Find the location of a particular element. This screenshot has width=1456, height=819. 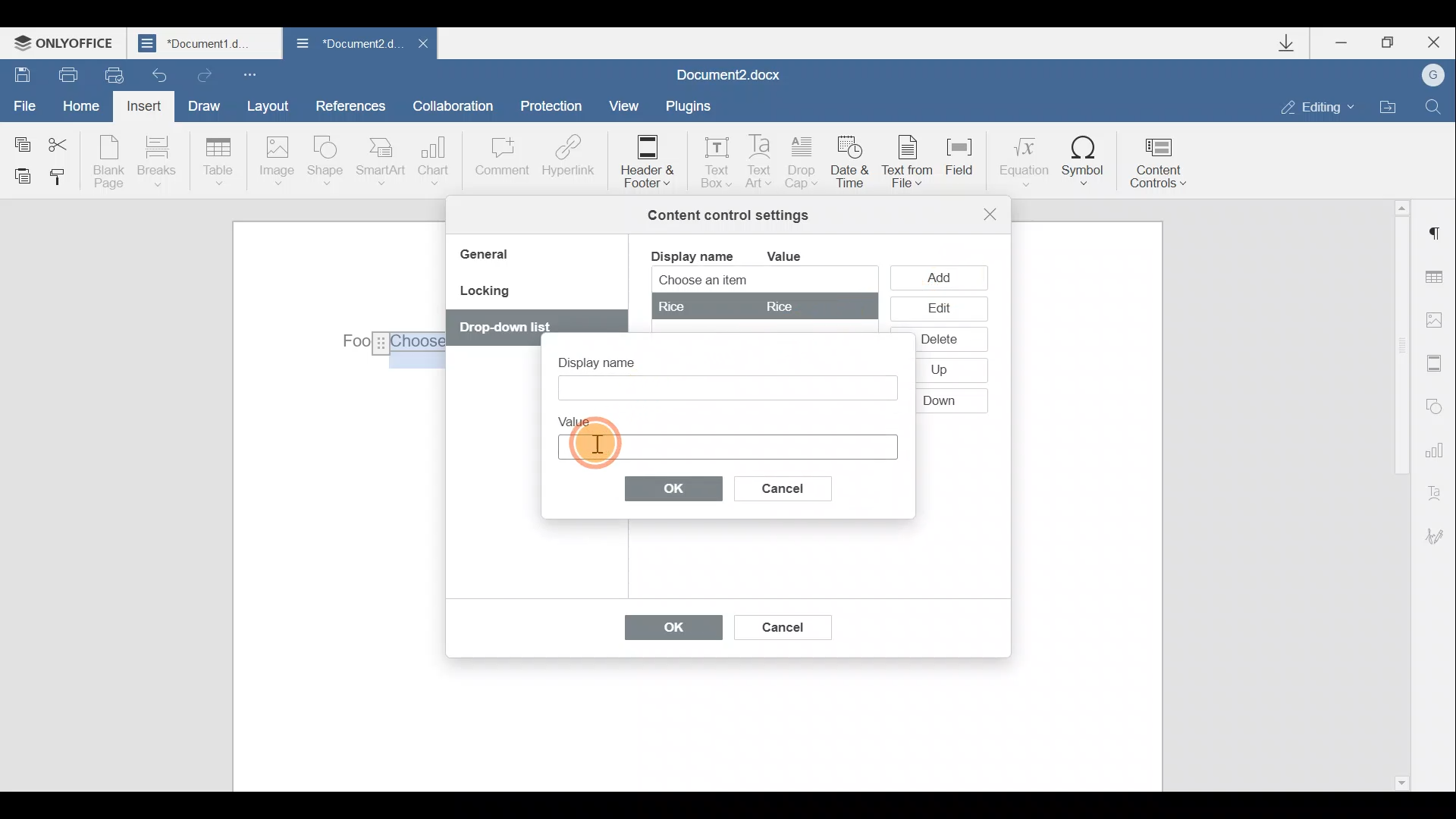

Display name is located at coordinates (691, 255).